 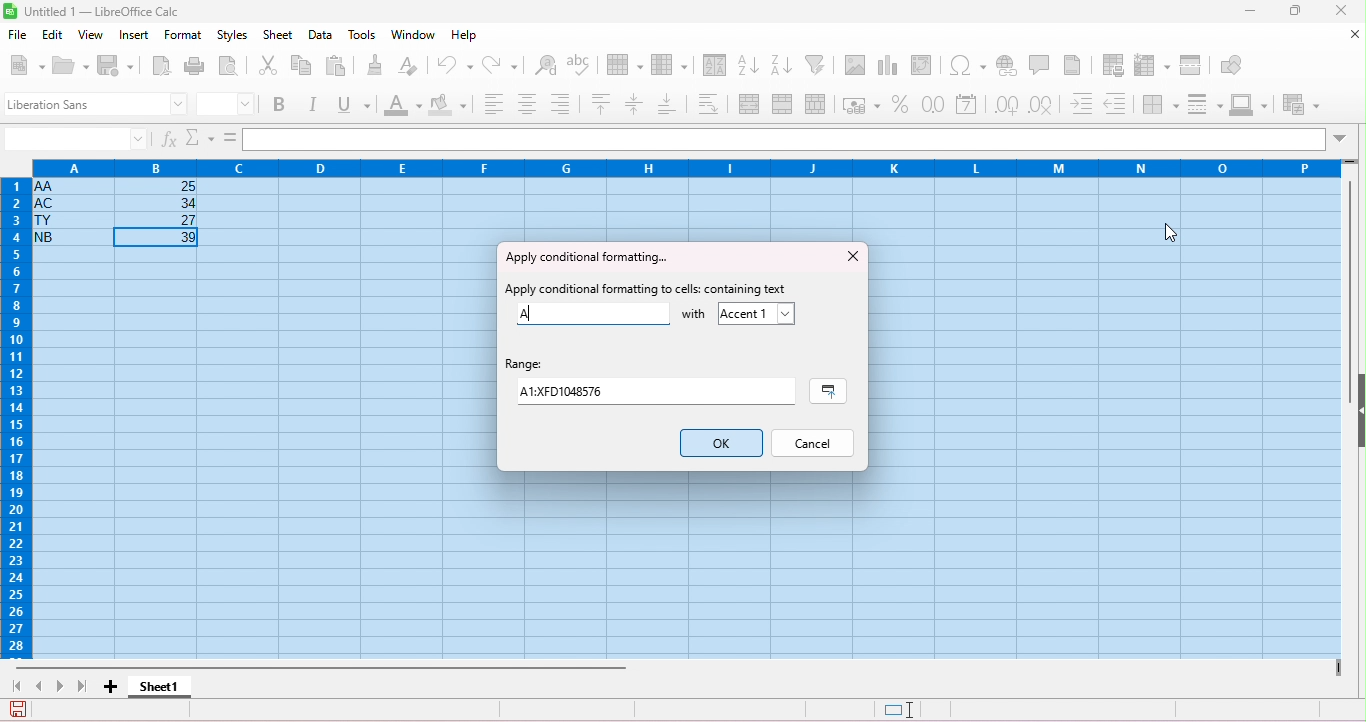 I want to click on save, so click(x=18, y=710).